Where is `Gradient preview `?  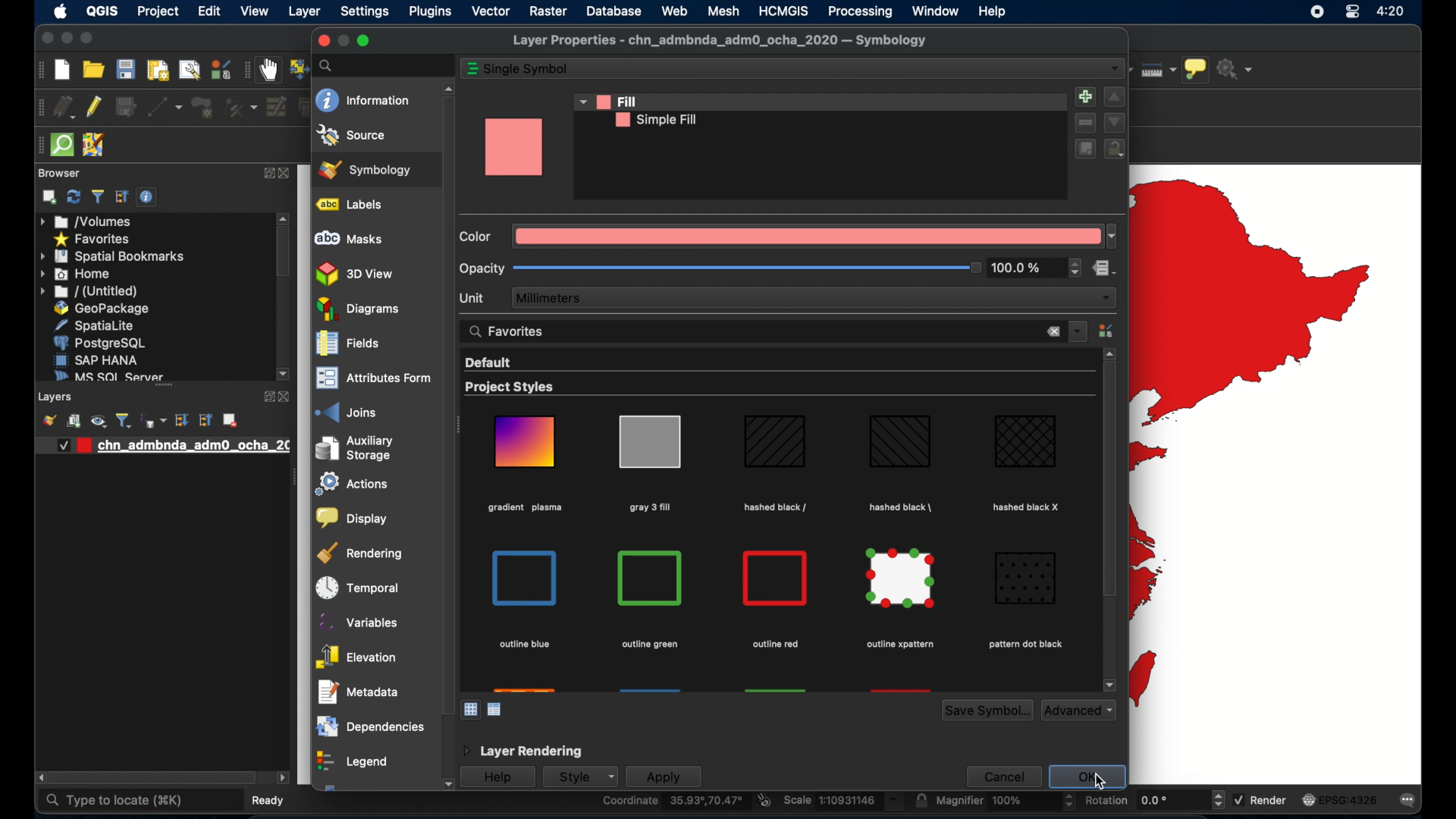 Gradient preview  is located at coordinates (775, 444).